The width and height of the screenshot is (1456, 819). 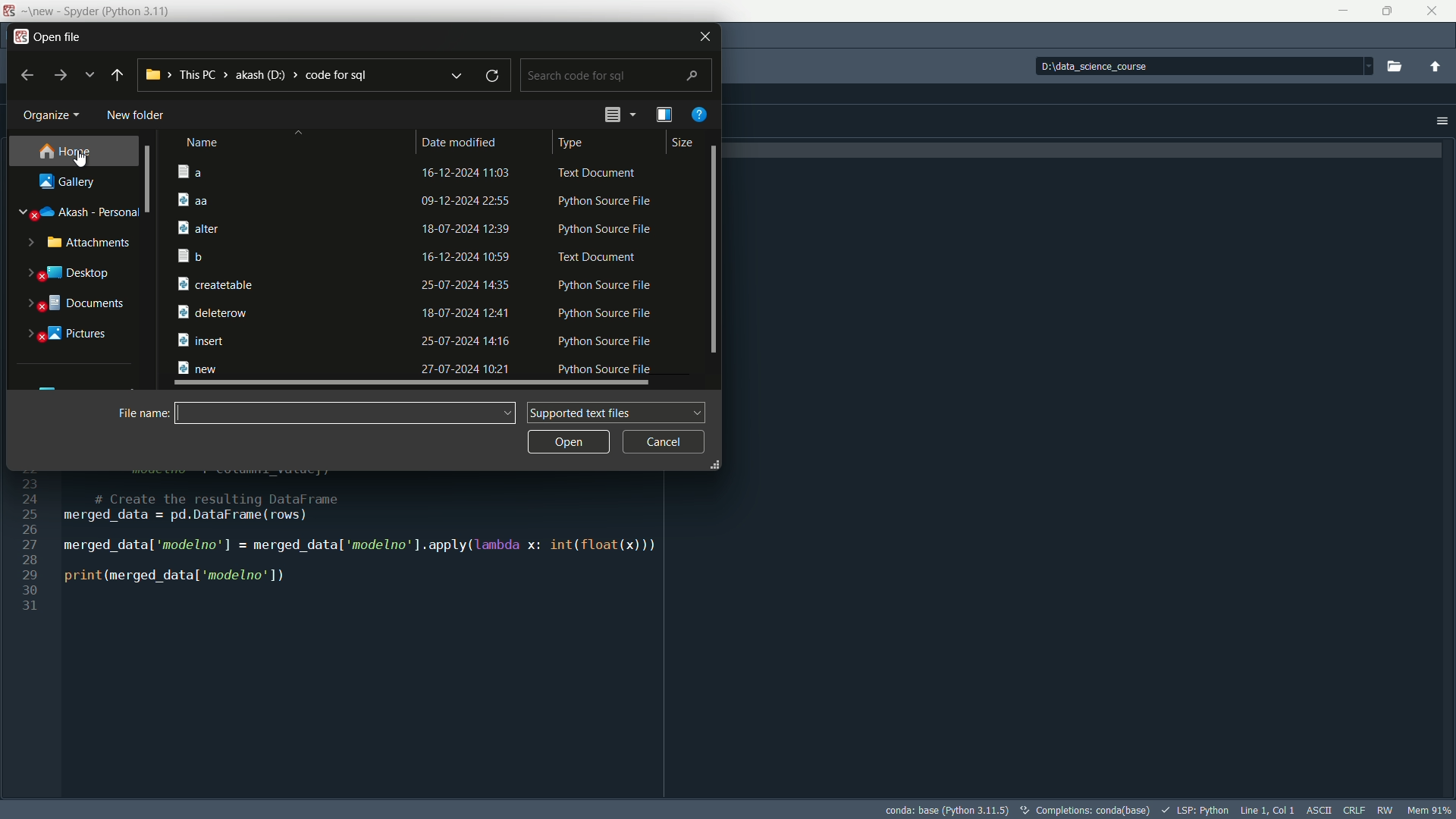 What do you see at coordinates (1367, 67) in the screenshot?
I see `Dropdown` at bounding box center [1367, 67].